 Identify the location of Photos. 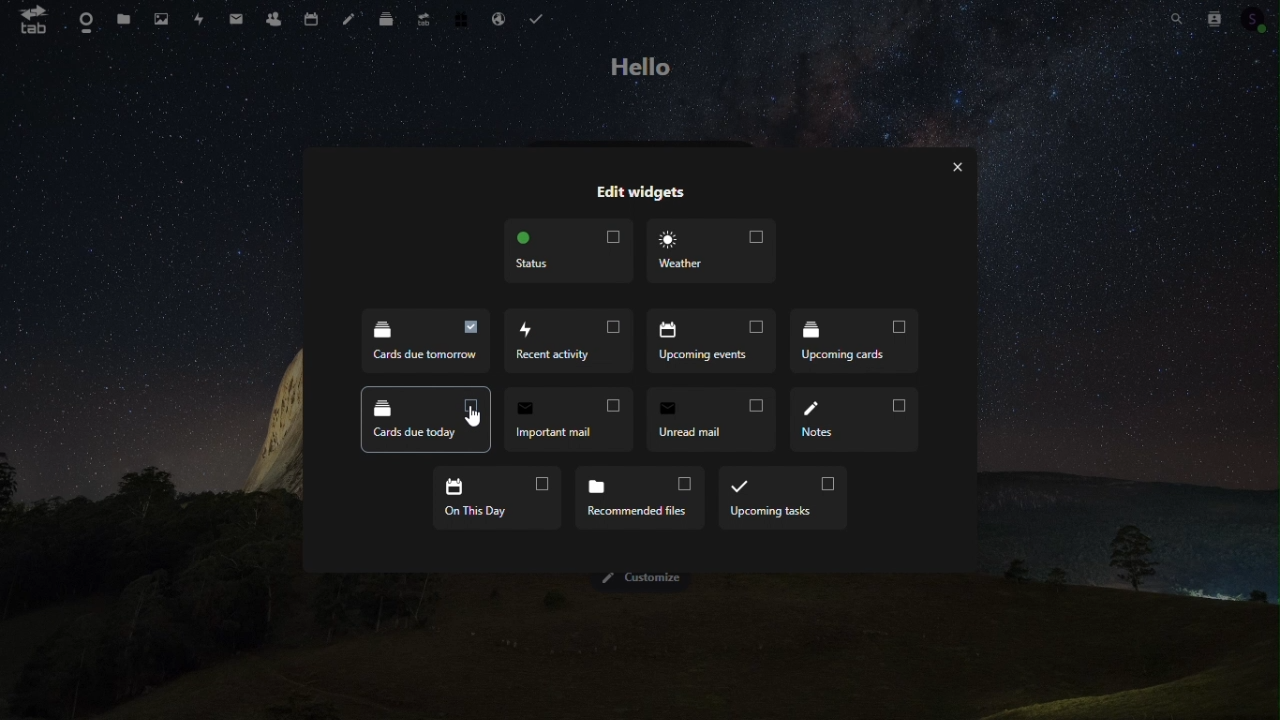
(162, 16).